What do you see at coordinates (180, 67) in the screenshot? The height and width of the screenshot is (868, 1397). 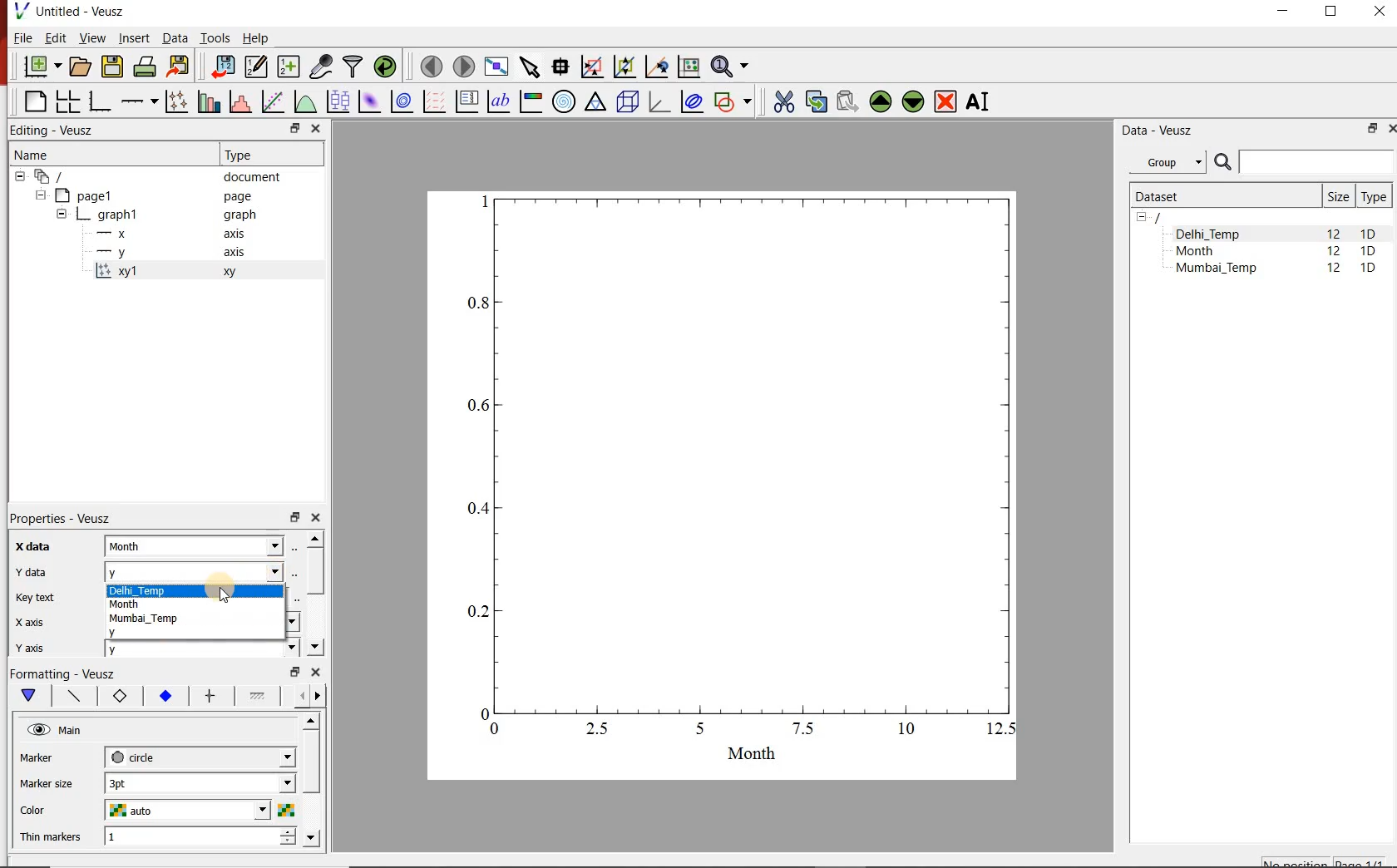 I see `export to graphics format` at bounding box center [180, 67].